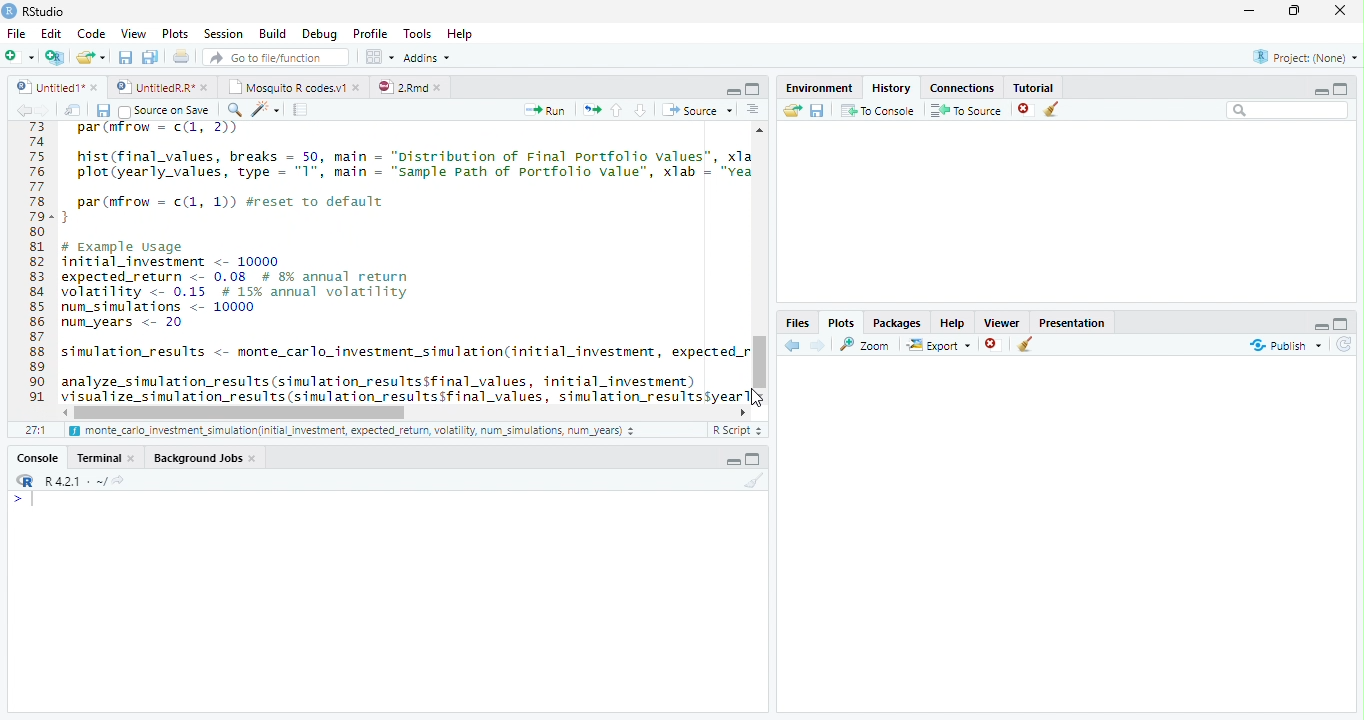 Image resolution: width=1364 pixels, height=720 pixels. What do you see at coordinates (1026, 346) in the screenshot?
I see `Clear` at bounding box center [1026, 346].